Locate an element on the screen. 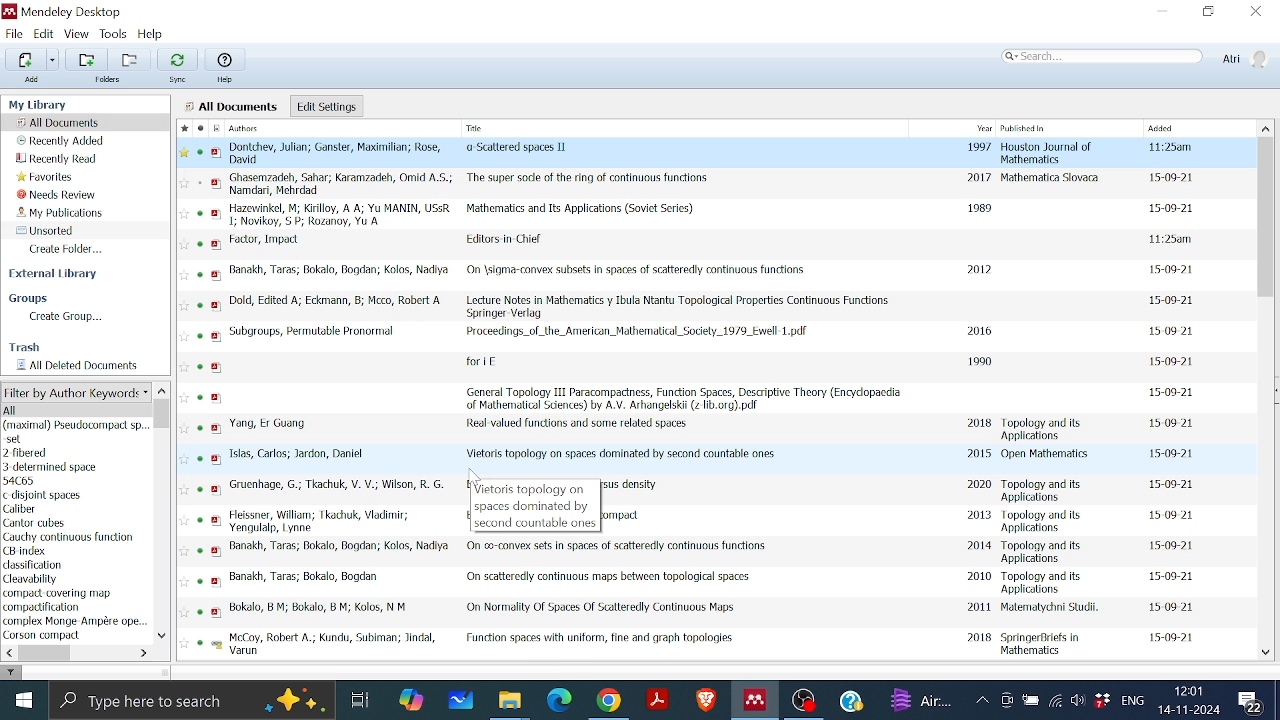  All documents is located at coordinates (59, 123).